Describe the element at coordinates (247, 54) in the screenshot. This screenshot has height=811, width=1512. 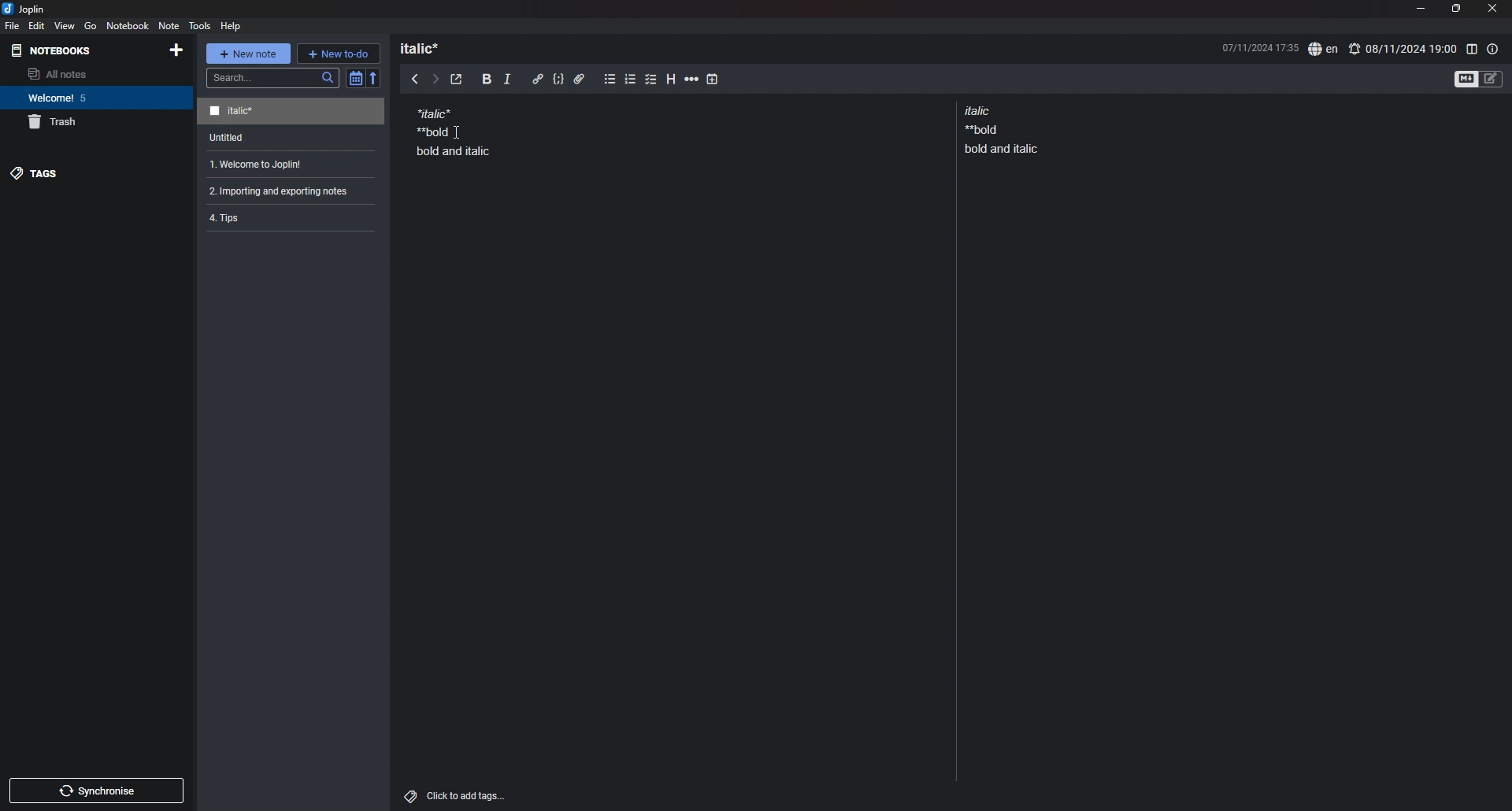
I see `new note` at that location.